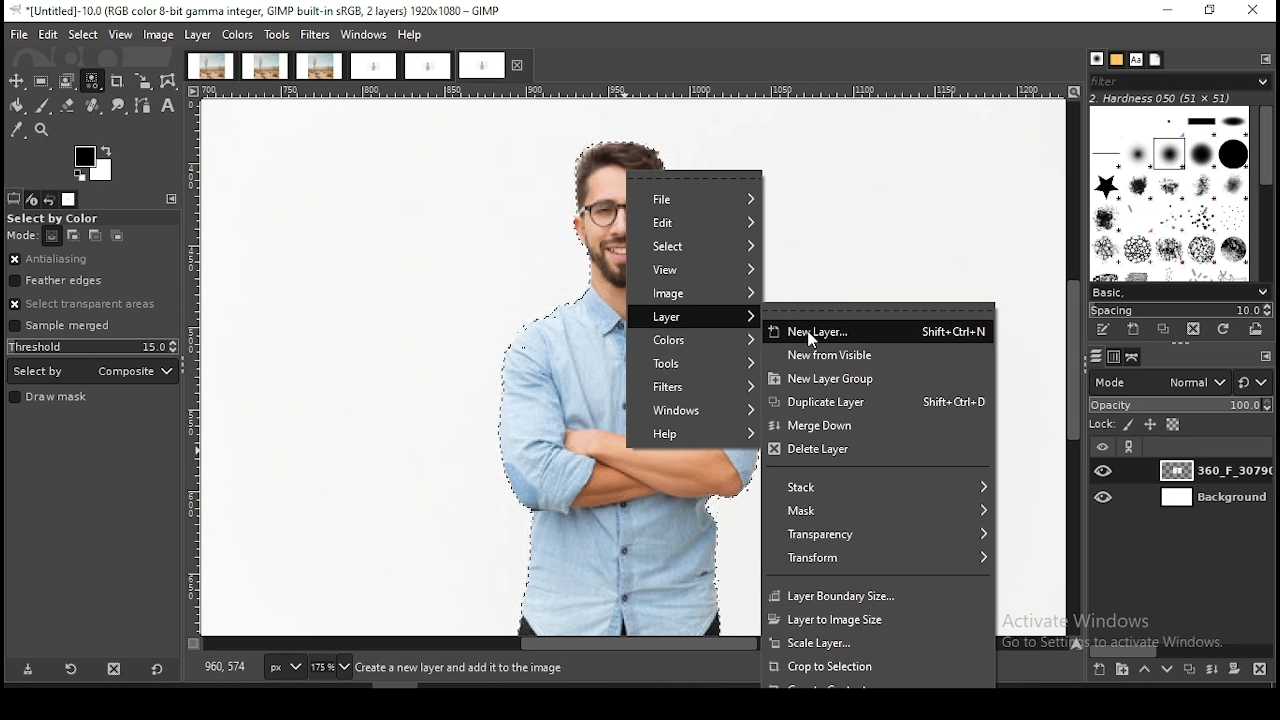 The image size is (1280, 720). Describe the element at coordinates (813, 341) in the screenshot. I see `mouse pointer` at that location.